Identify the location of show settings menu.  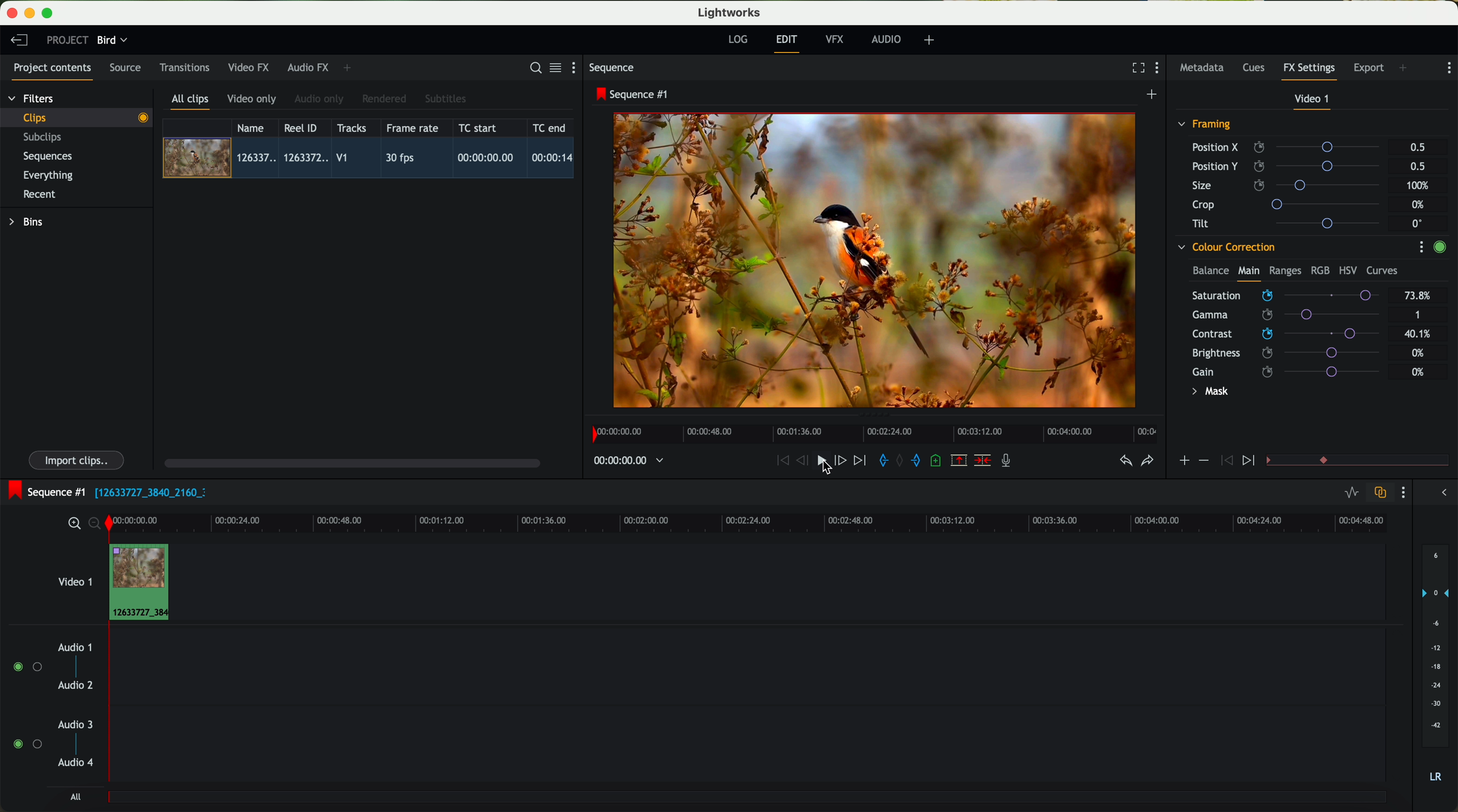
(1421, 247).